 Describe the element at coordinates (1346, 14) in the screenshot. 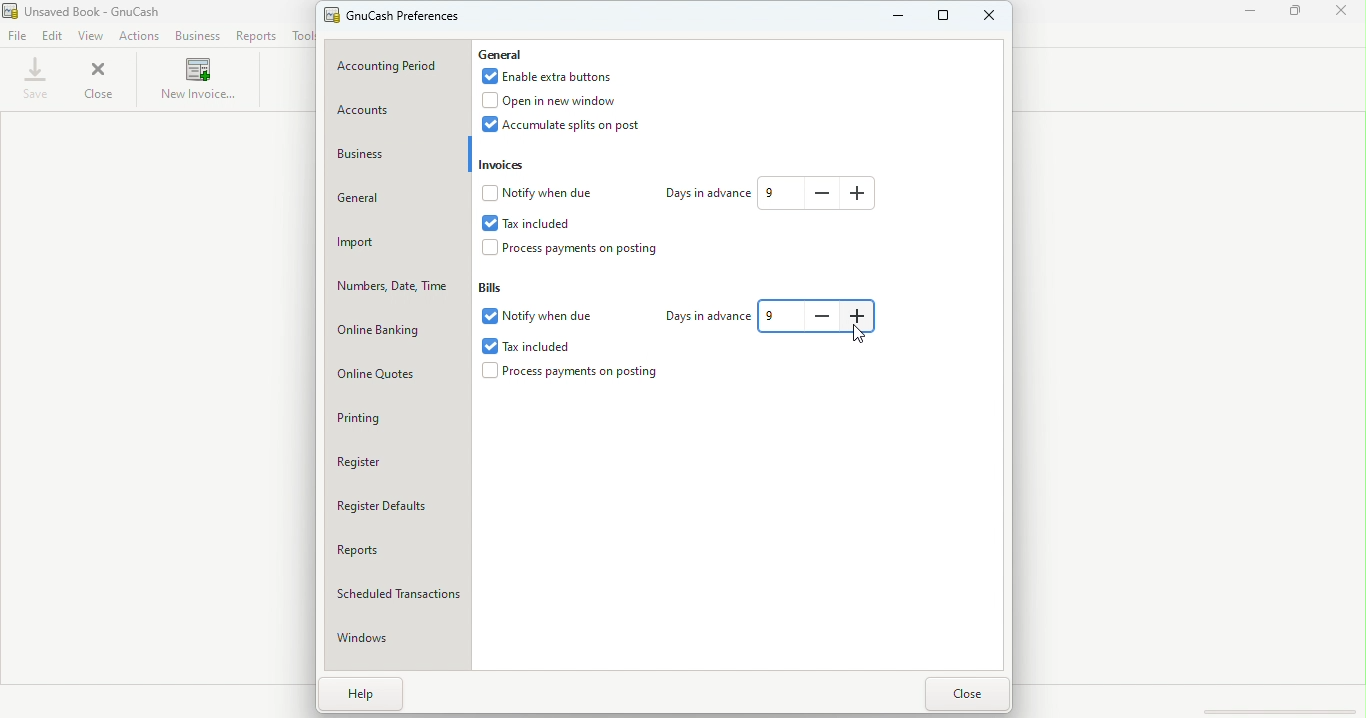

I see `Close` at that location.